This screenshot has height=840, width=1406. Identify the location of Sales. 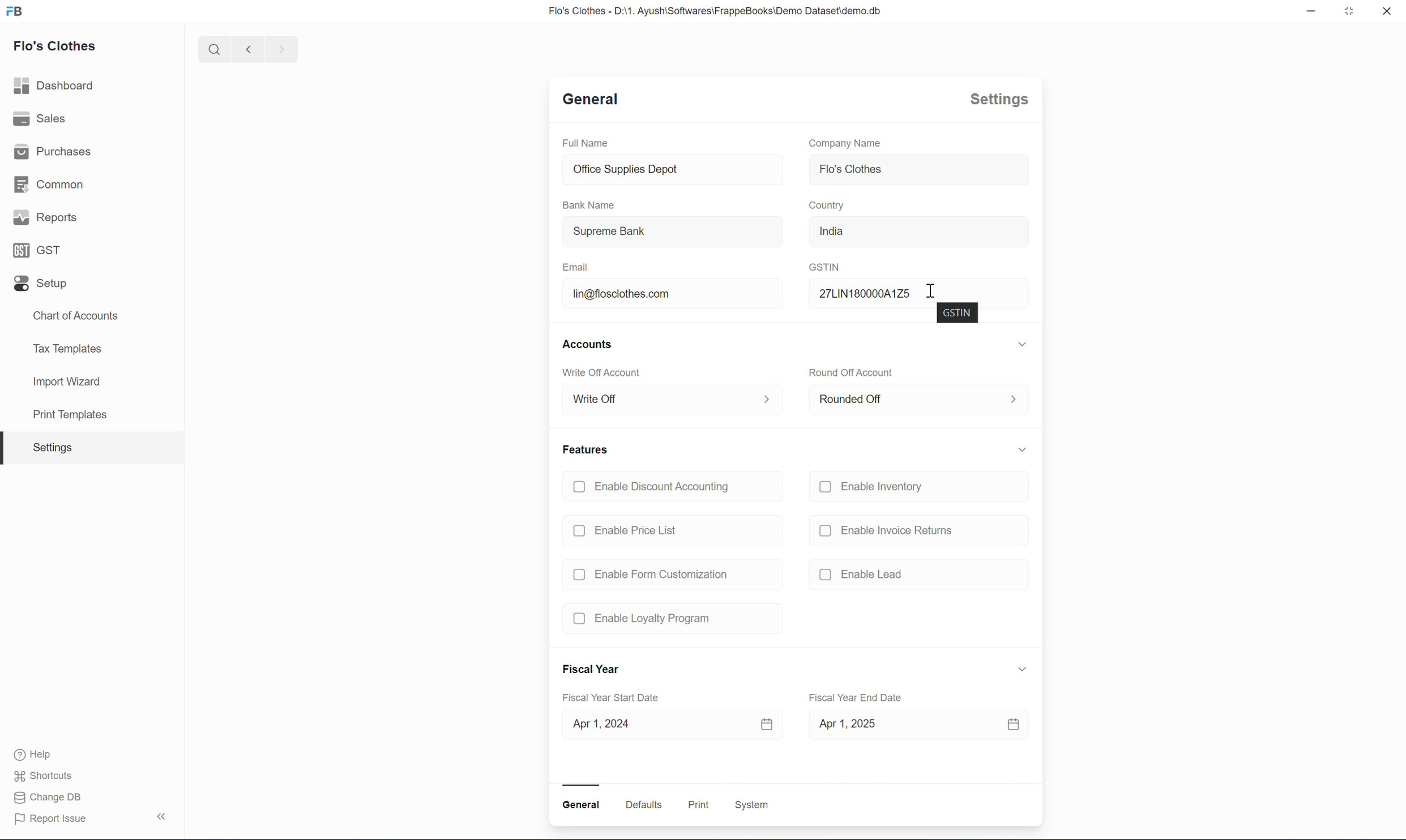
(43, 119).